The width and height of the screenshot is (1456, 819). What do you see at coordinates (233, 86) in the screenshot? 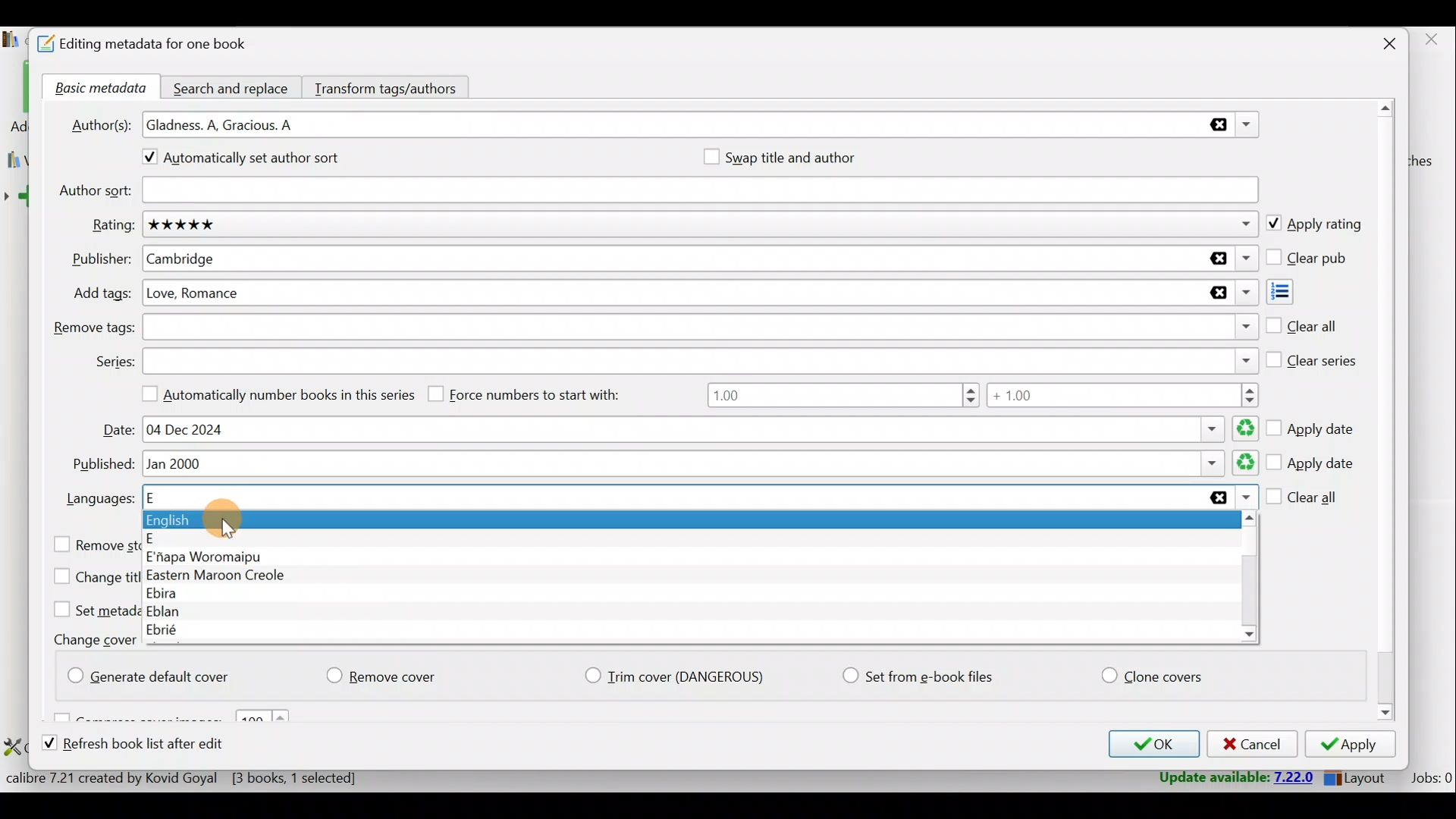
I see `Search and replace` at bounding box center [233, 86].